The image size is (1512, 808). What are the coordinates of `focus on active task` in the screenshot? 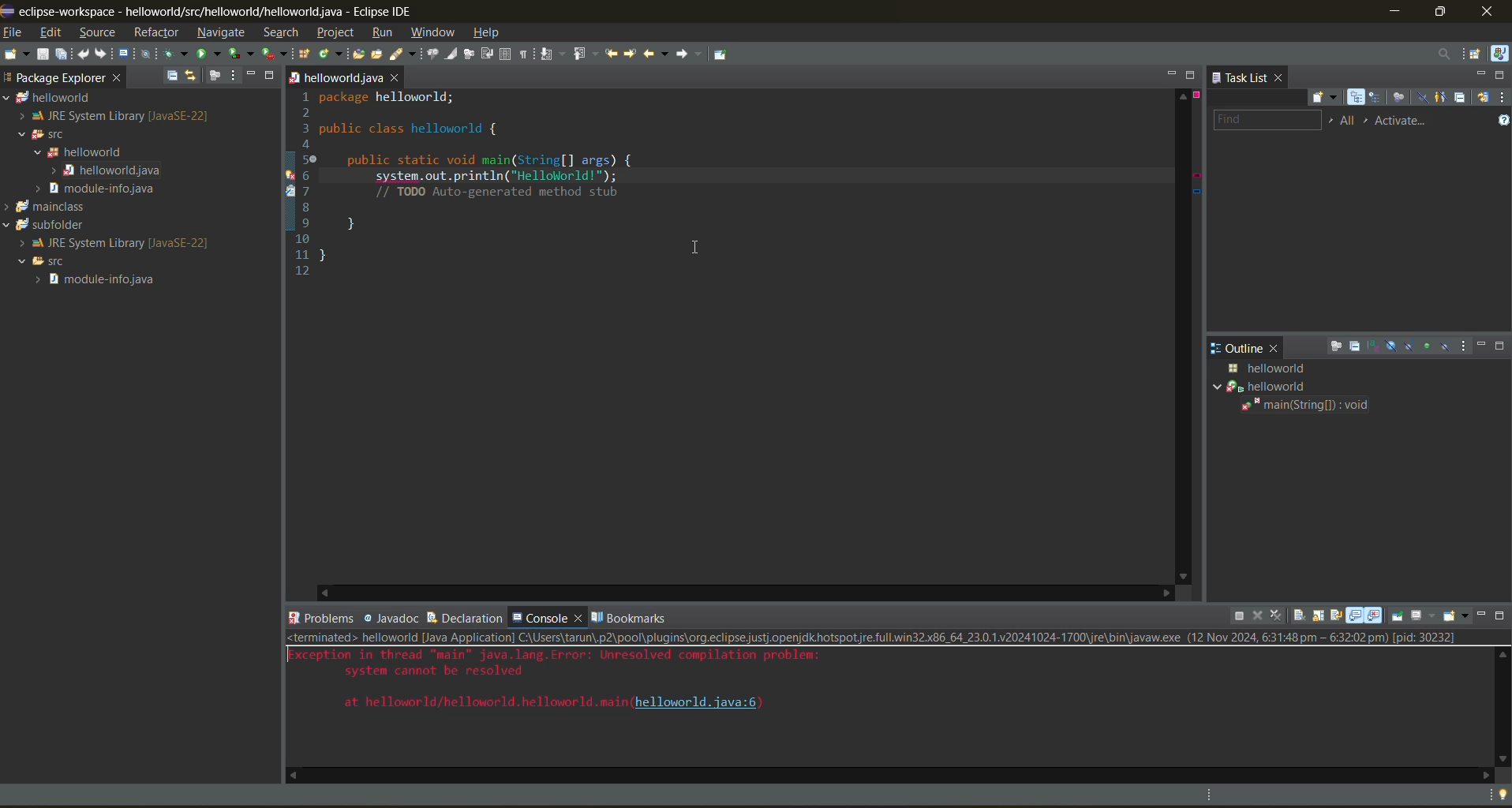 It's located at (1339, 346).